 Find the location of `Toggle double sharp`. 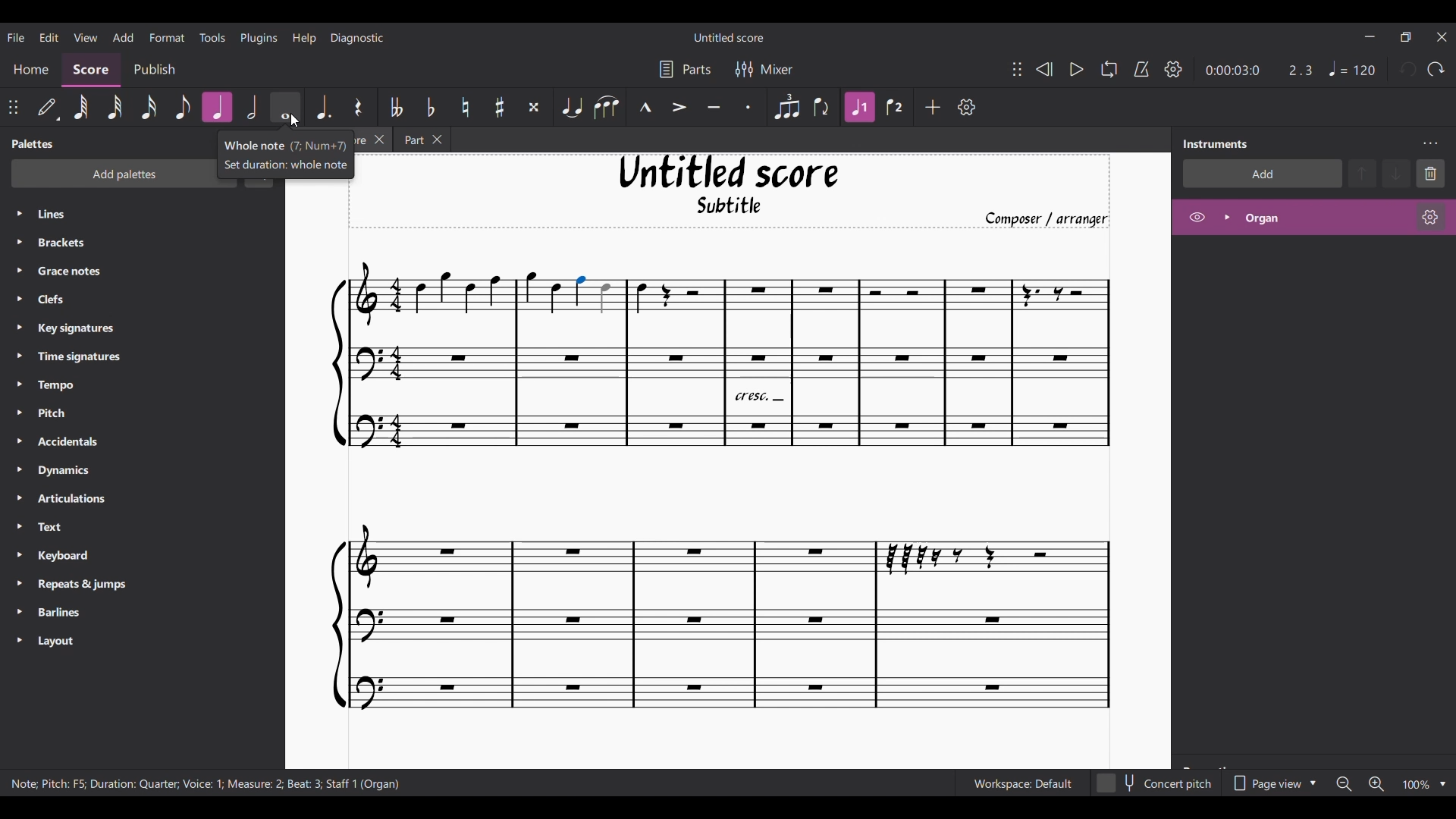

Toggle double sharp is located at coordinates (534, 108).